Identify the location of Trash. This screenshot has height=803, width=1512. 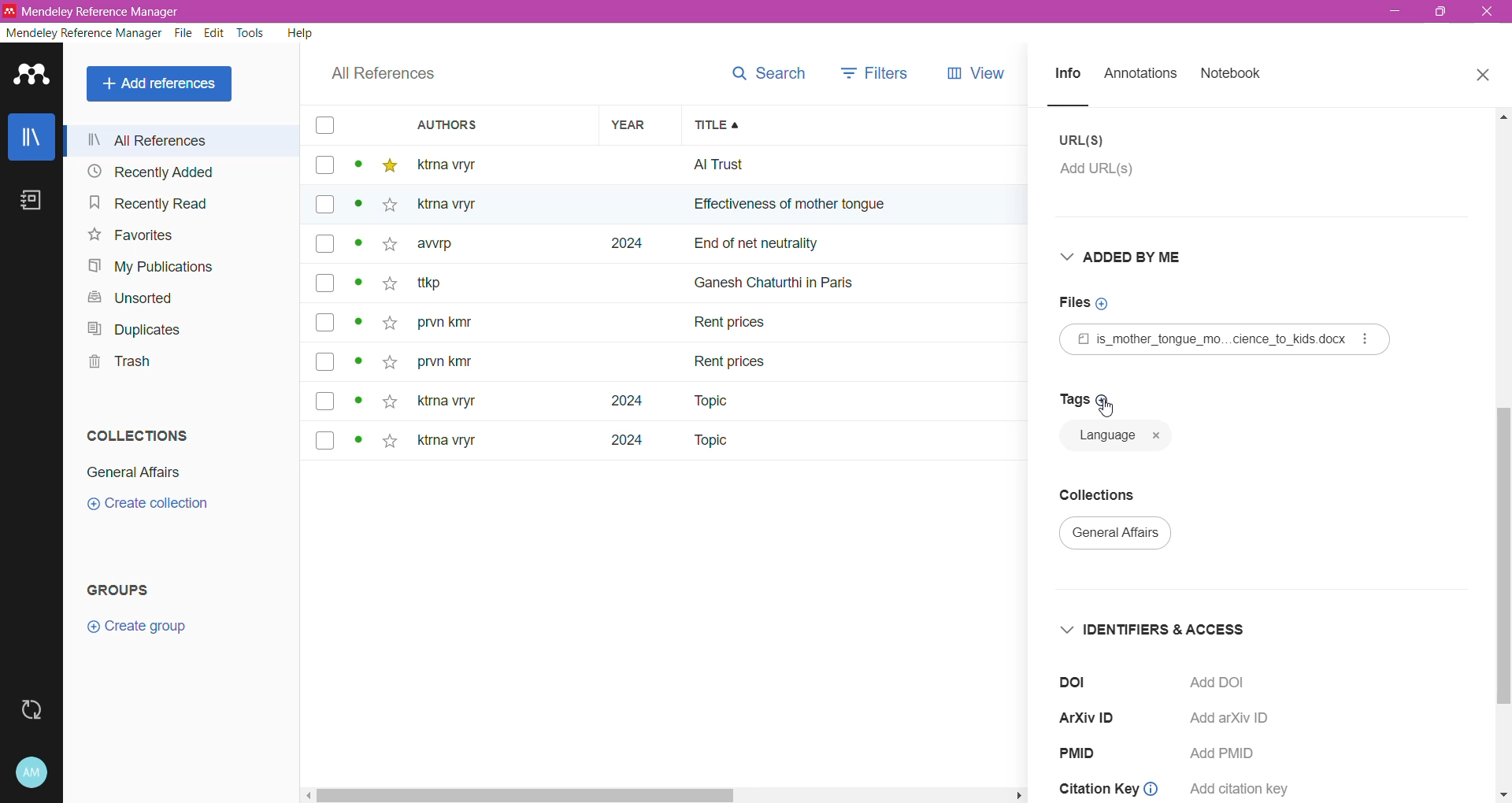
(117, 361).